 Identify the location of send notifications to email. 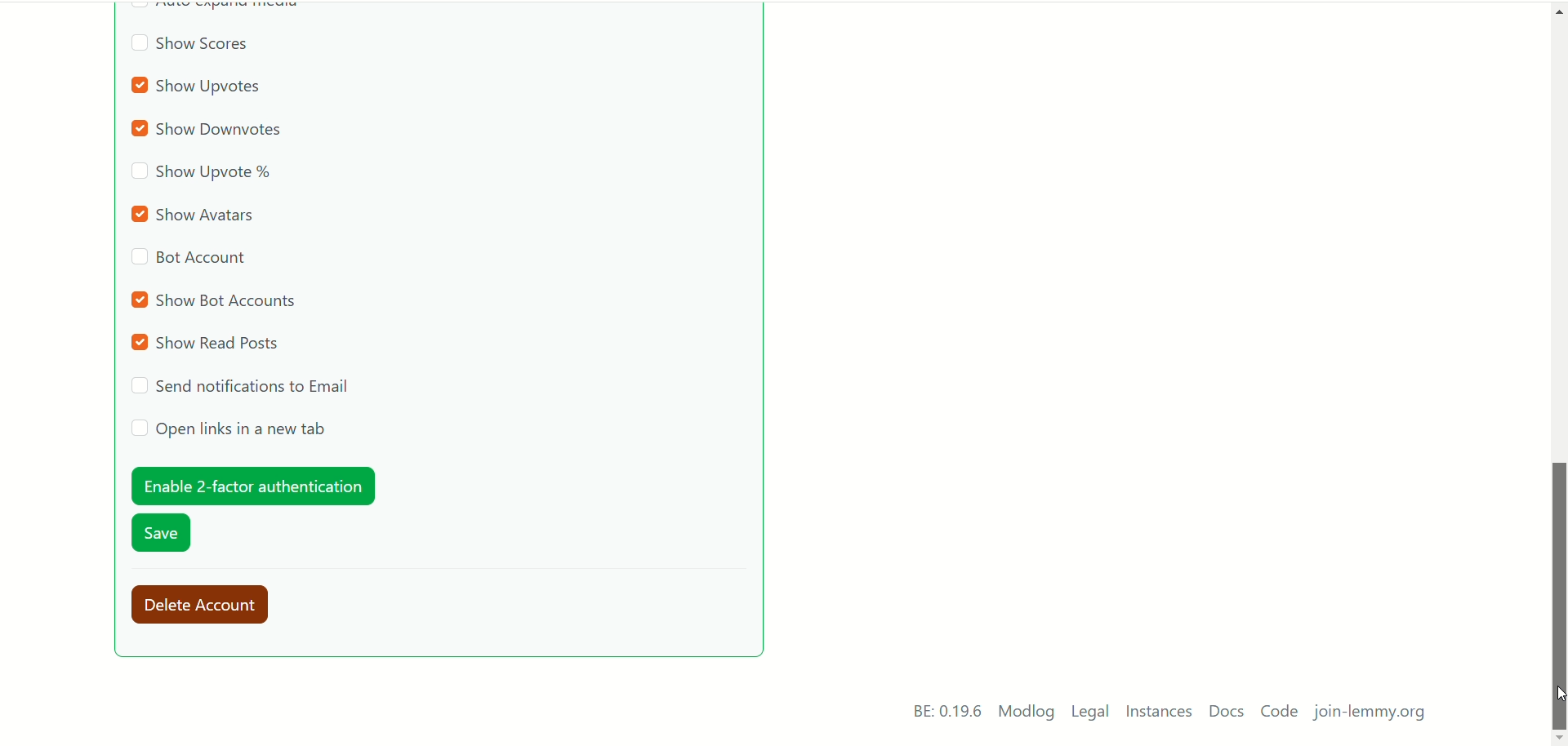
(244, 386).